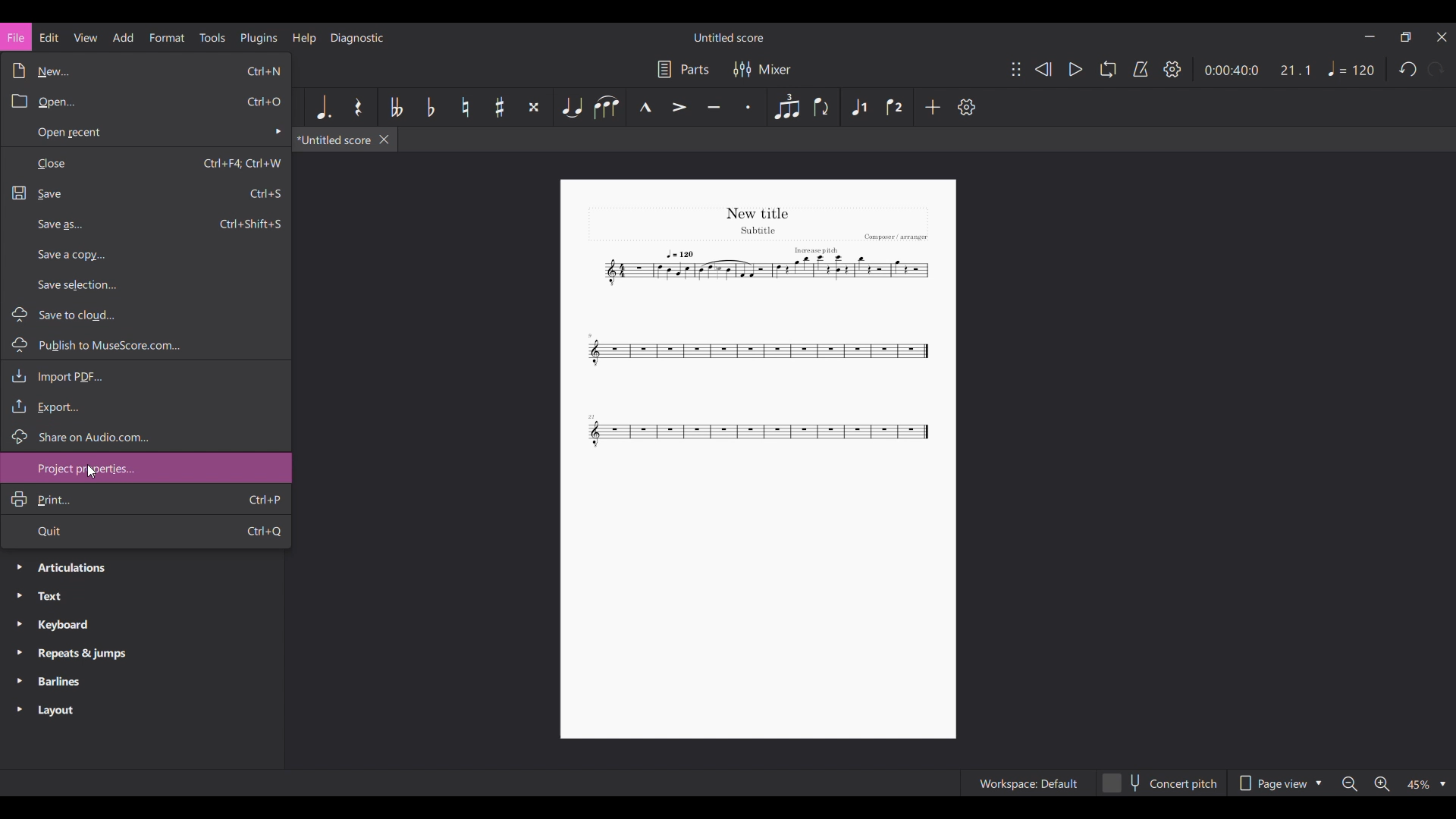 This screenshot has width=1456, height=819. What do you see at coordinates (1370, 36) in the screenshot?
I see `Minimize` at bounding box center [1370, 36].